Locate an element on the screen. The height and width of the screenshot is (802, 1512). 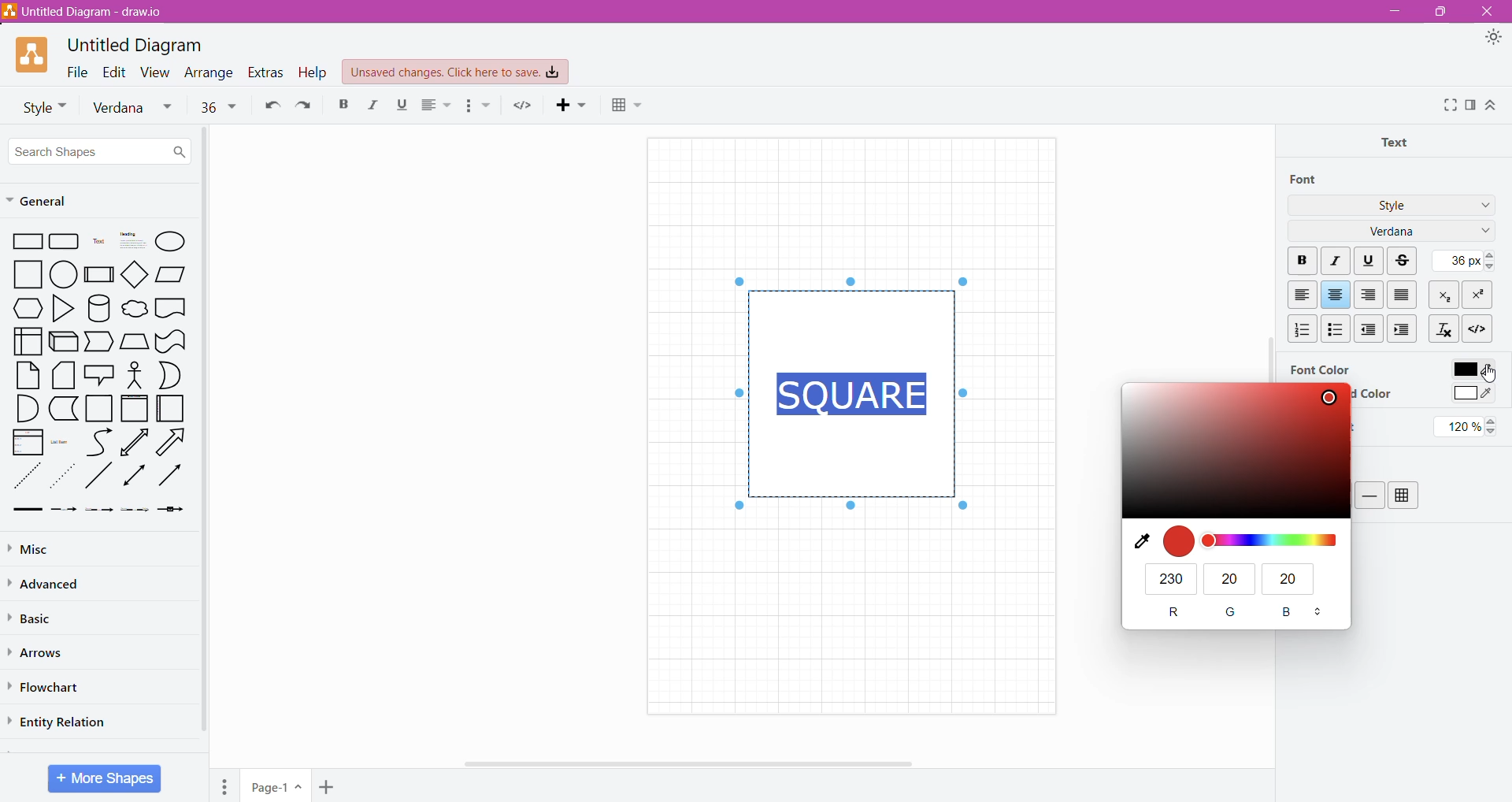
Thin Arrow is located at coordinates (98, 510).